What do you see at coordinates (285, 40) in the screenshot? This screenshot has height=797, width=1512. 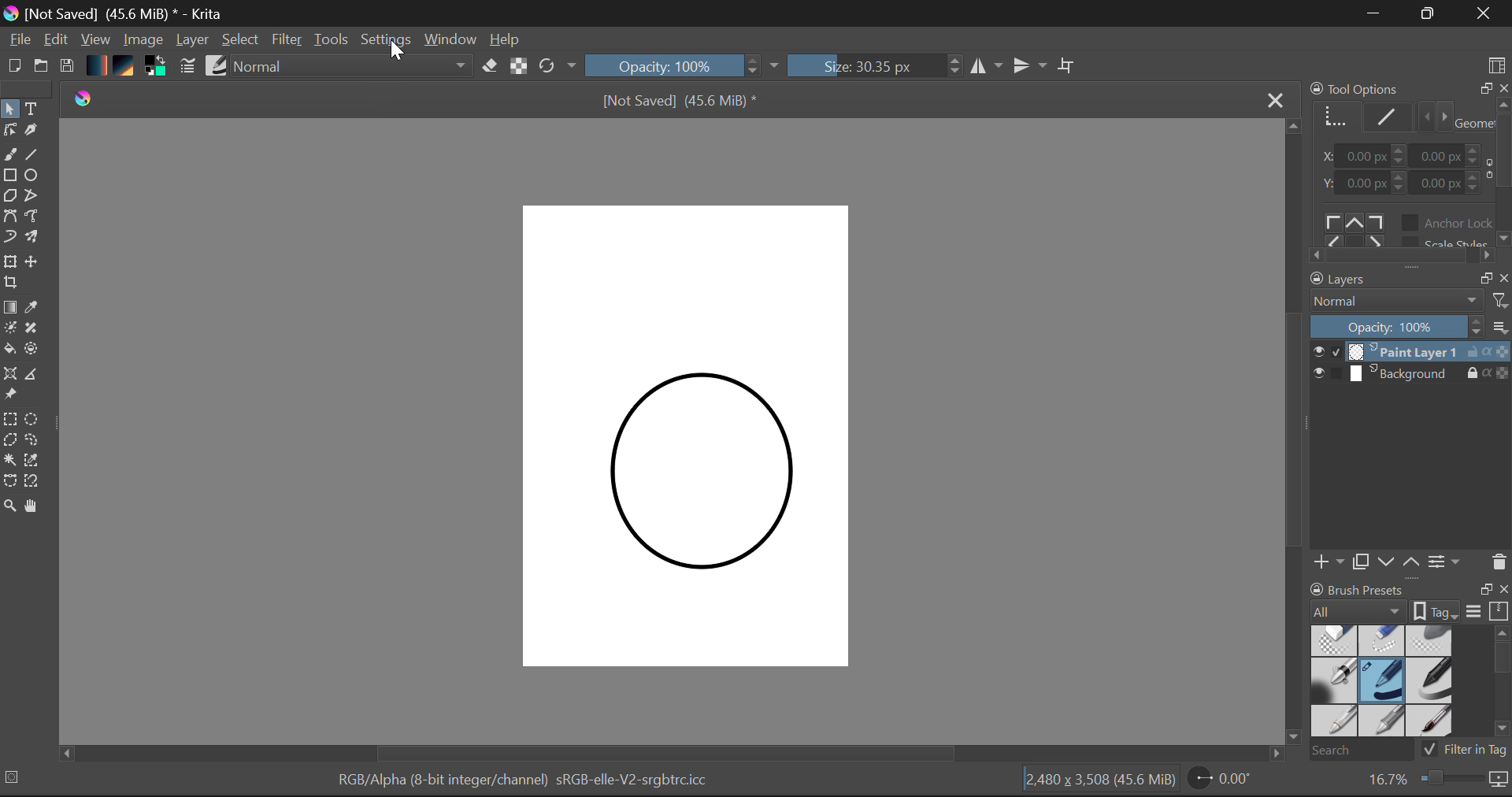 I see `Filter` at bounding box center [285, 40].